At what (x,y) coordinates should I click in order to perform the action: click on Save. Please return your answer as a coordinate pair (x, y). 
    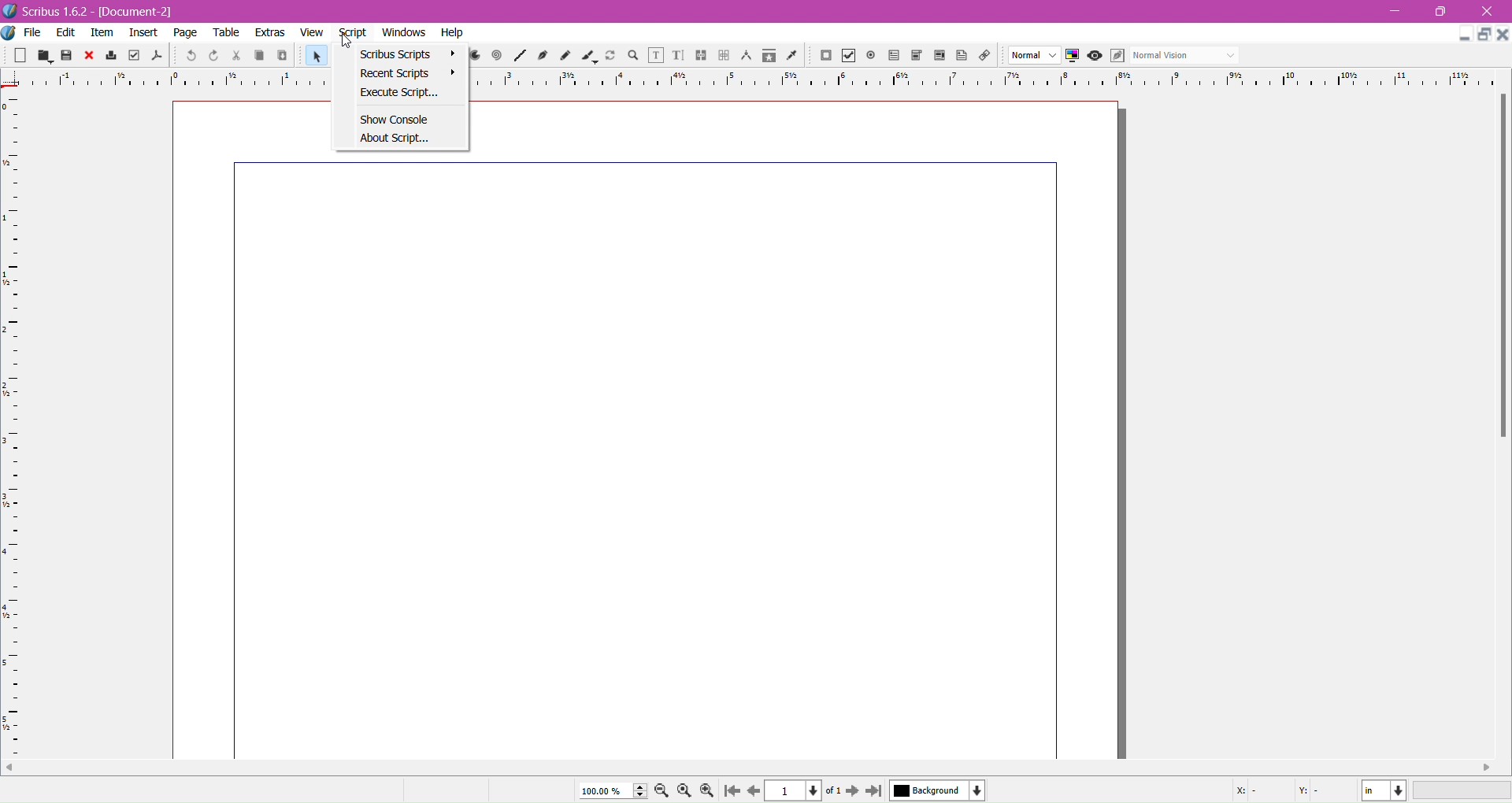
    Looking at the image, I should click on (65, 57).